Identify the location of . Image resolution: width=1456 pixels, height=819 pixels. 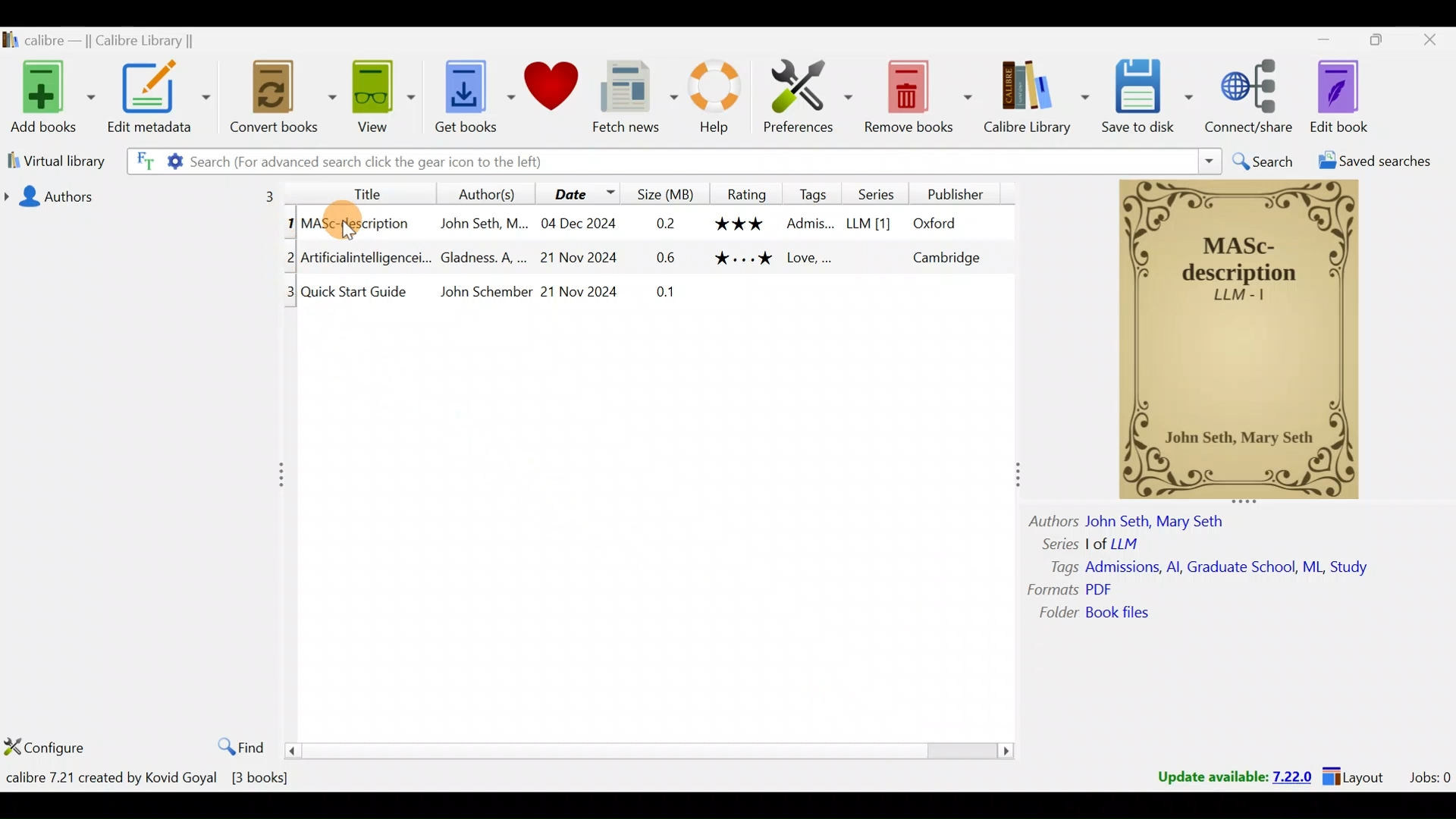
(946, 223).